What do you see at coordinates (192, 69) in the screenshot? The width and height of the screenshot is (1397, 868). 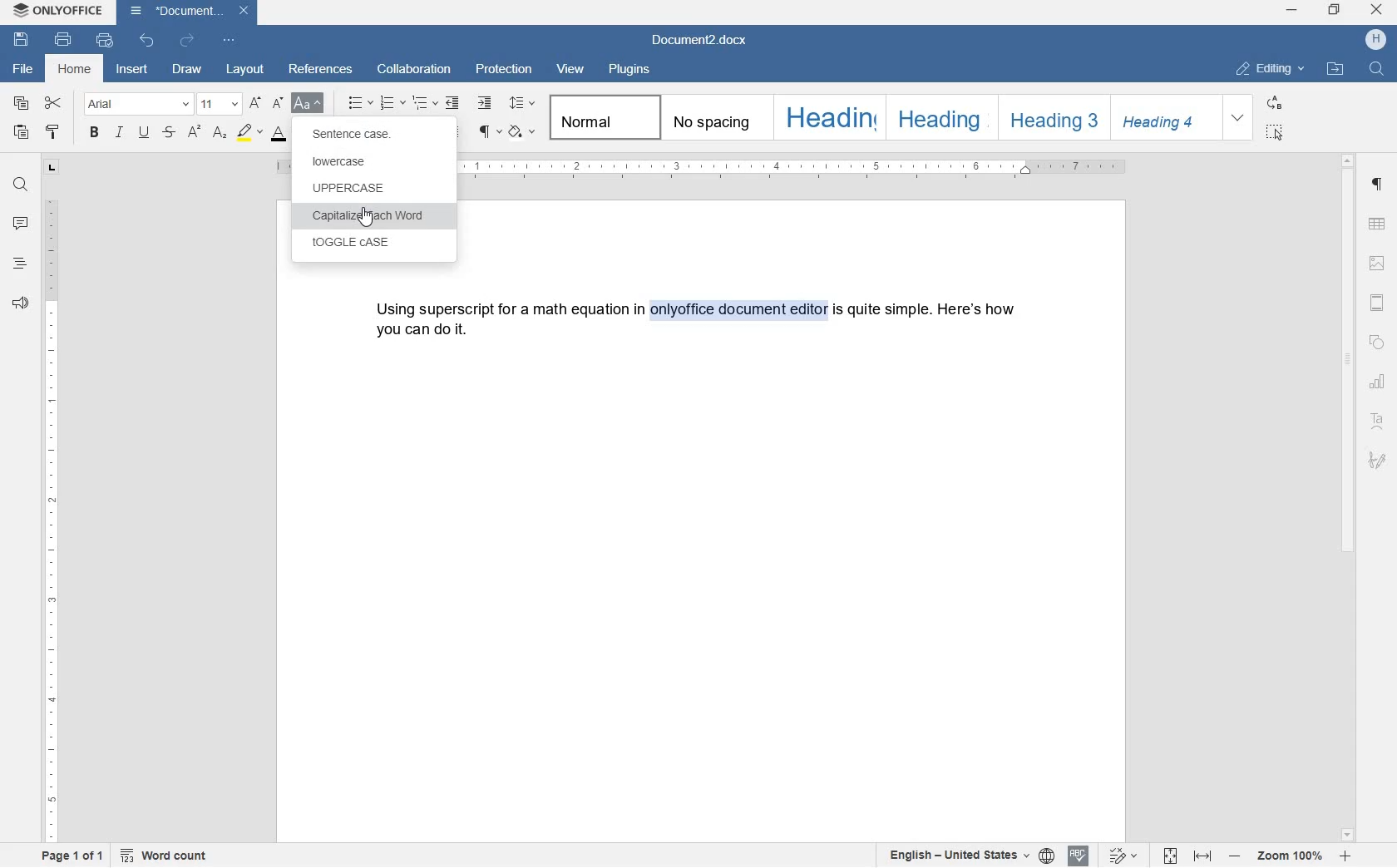 I see `draw` at bounding box center [192, 69].